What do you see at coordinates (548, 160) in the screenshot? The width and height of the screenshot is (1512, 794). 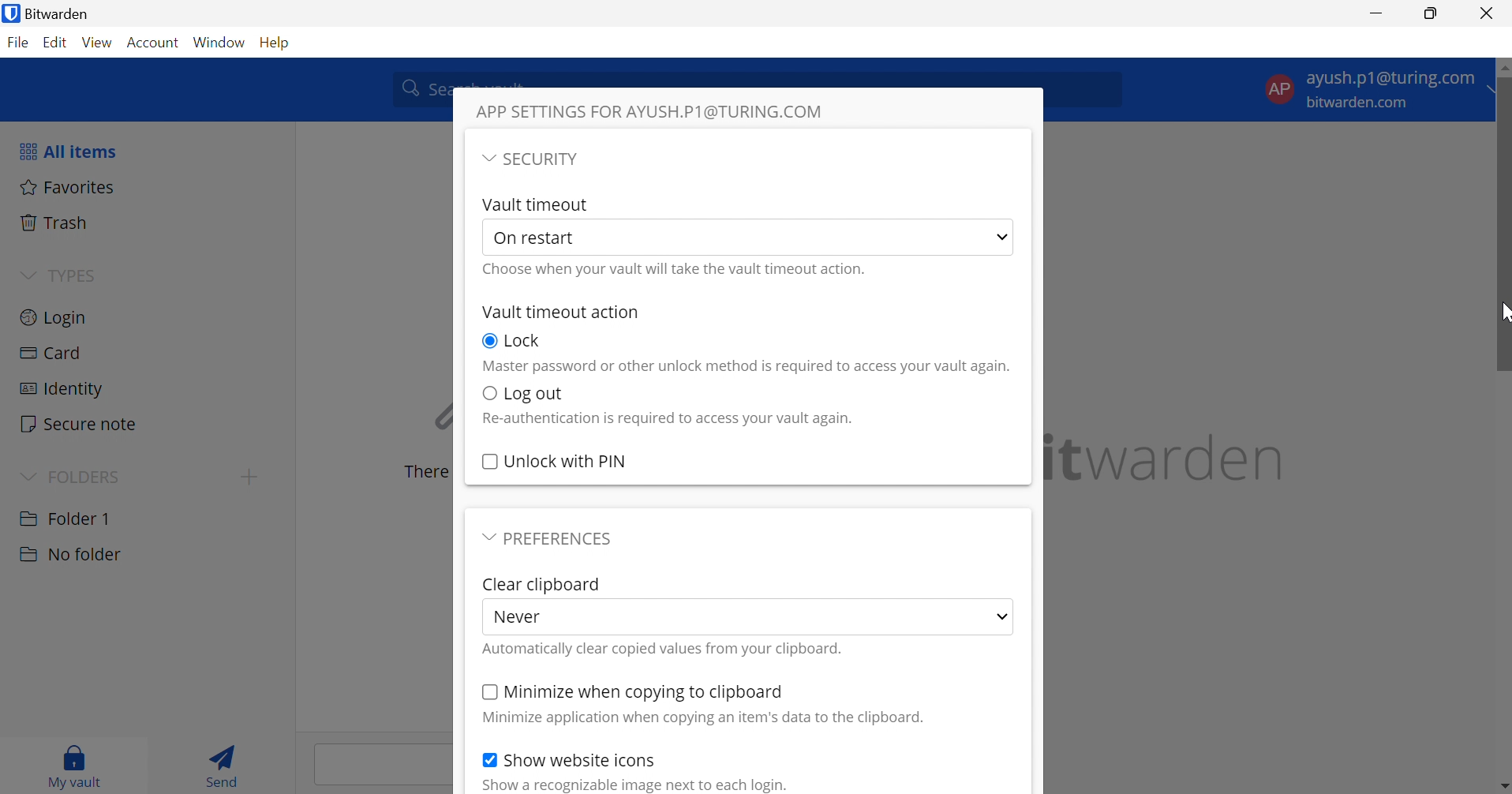 I see `SECURITY` at bounding box center [548, 160].